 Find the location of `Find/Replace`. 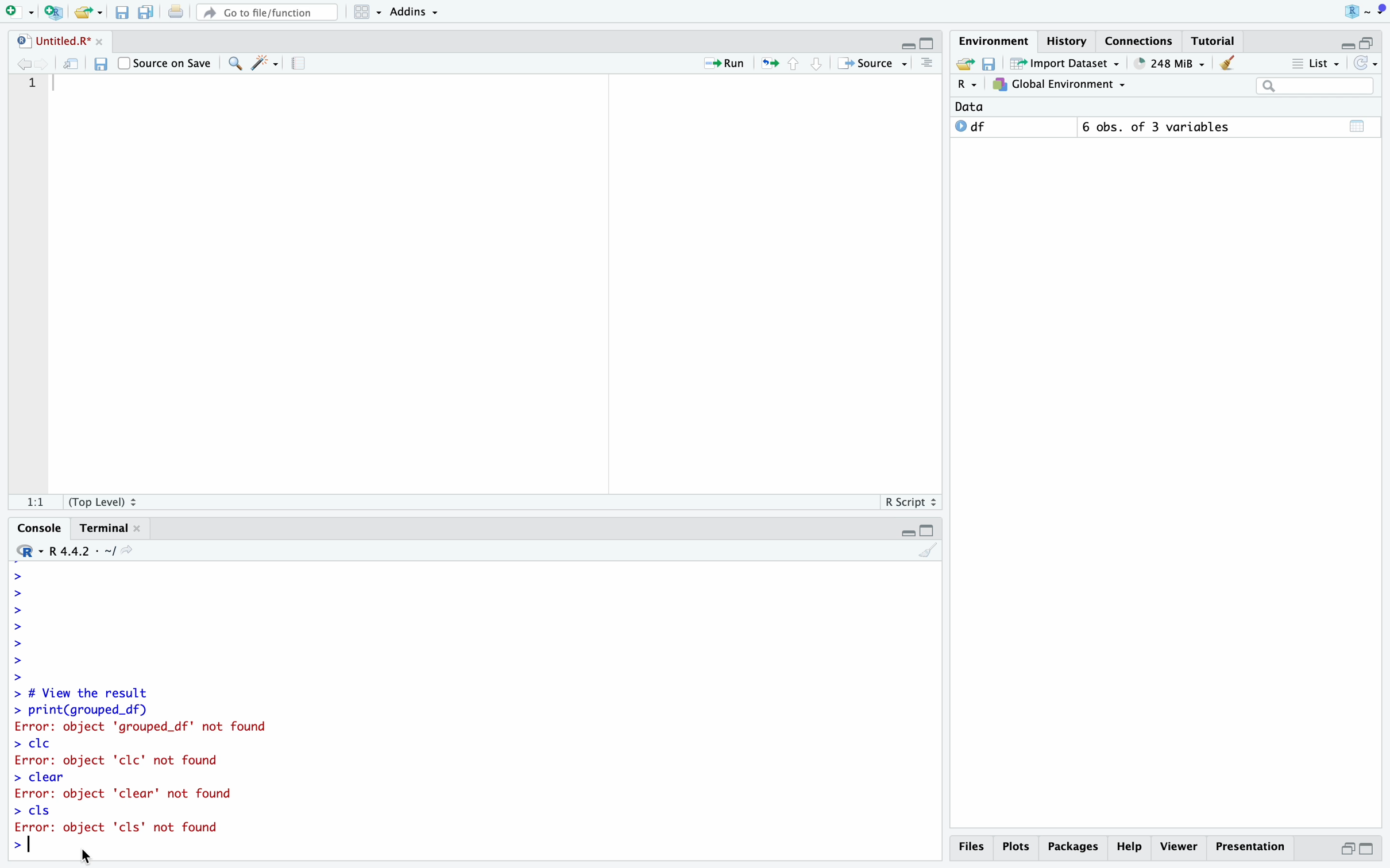

Find/Replace is located at coordinates (235, 64).